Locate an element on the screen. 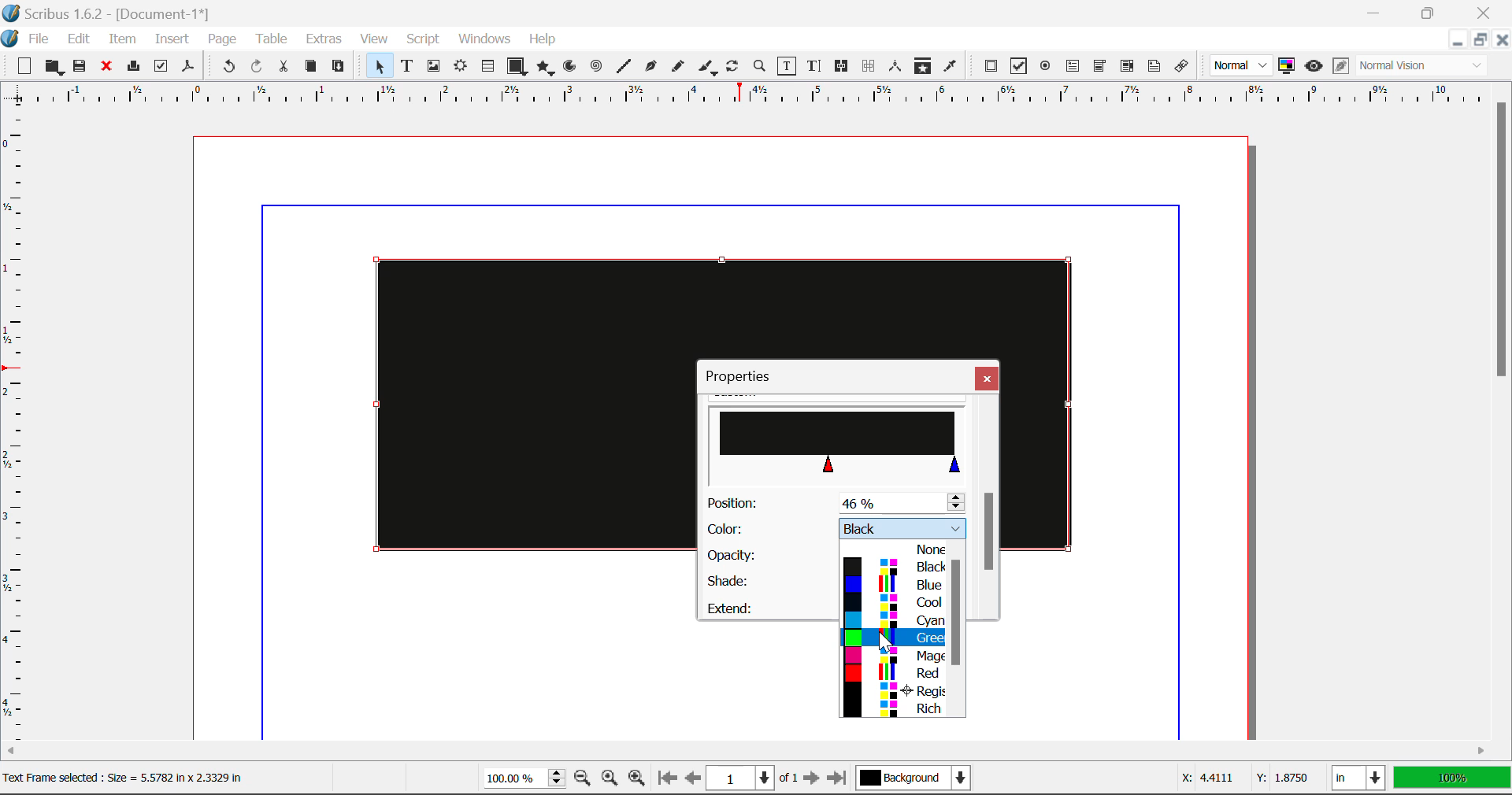 This screenshot has width=1512, height=795. Copy is located at coordinates (312, 66).